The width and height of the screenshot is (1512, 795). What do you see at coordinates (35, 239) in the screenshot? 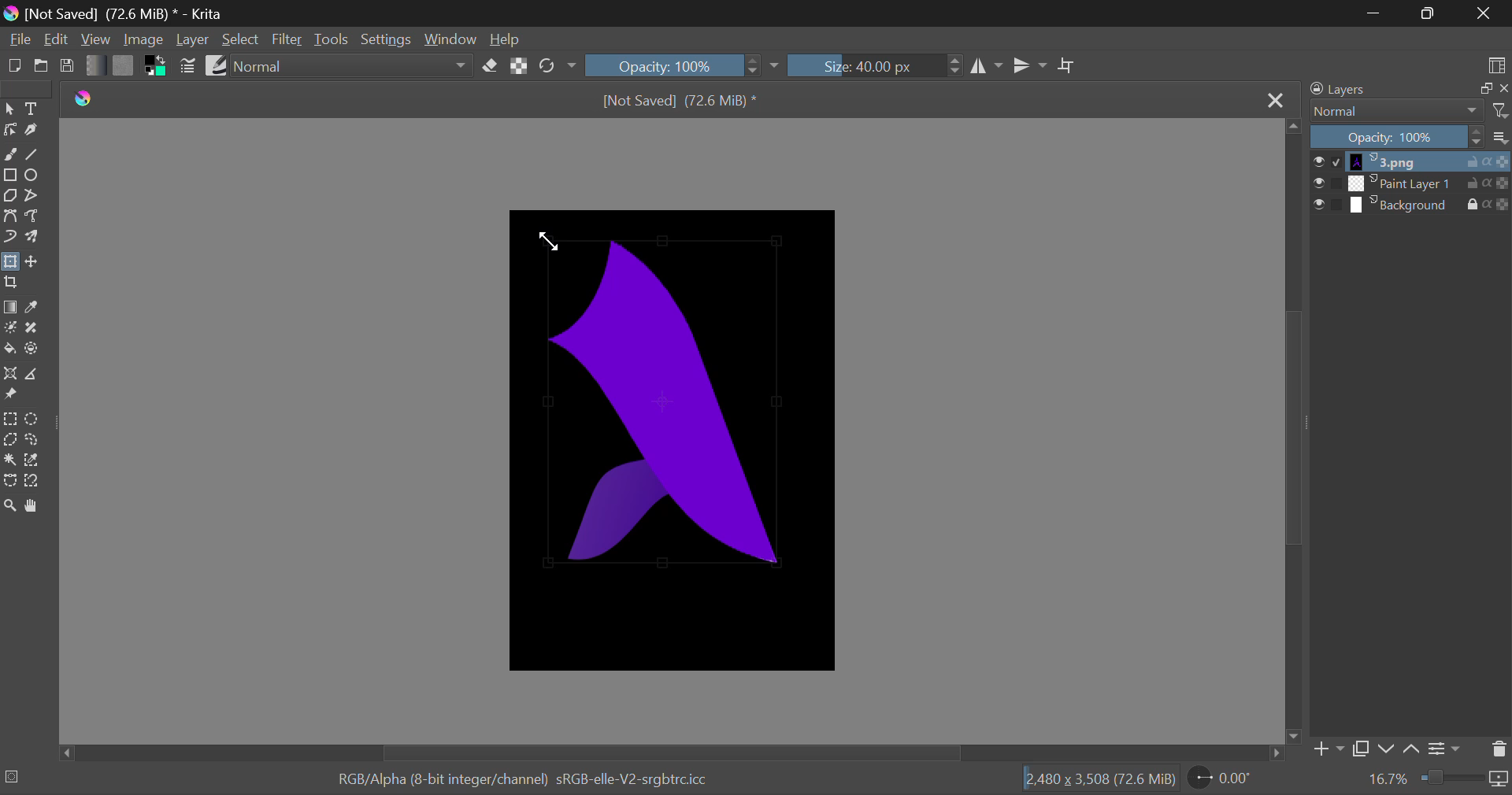
I see `Multibrush Tool` at bounding box center [35, 239].